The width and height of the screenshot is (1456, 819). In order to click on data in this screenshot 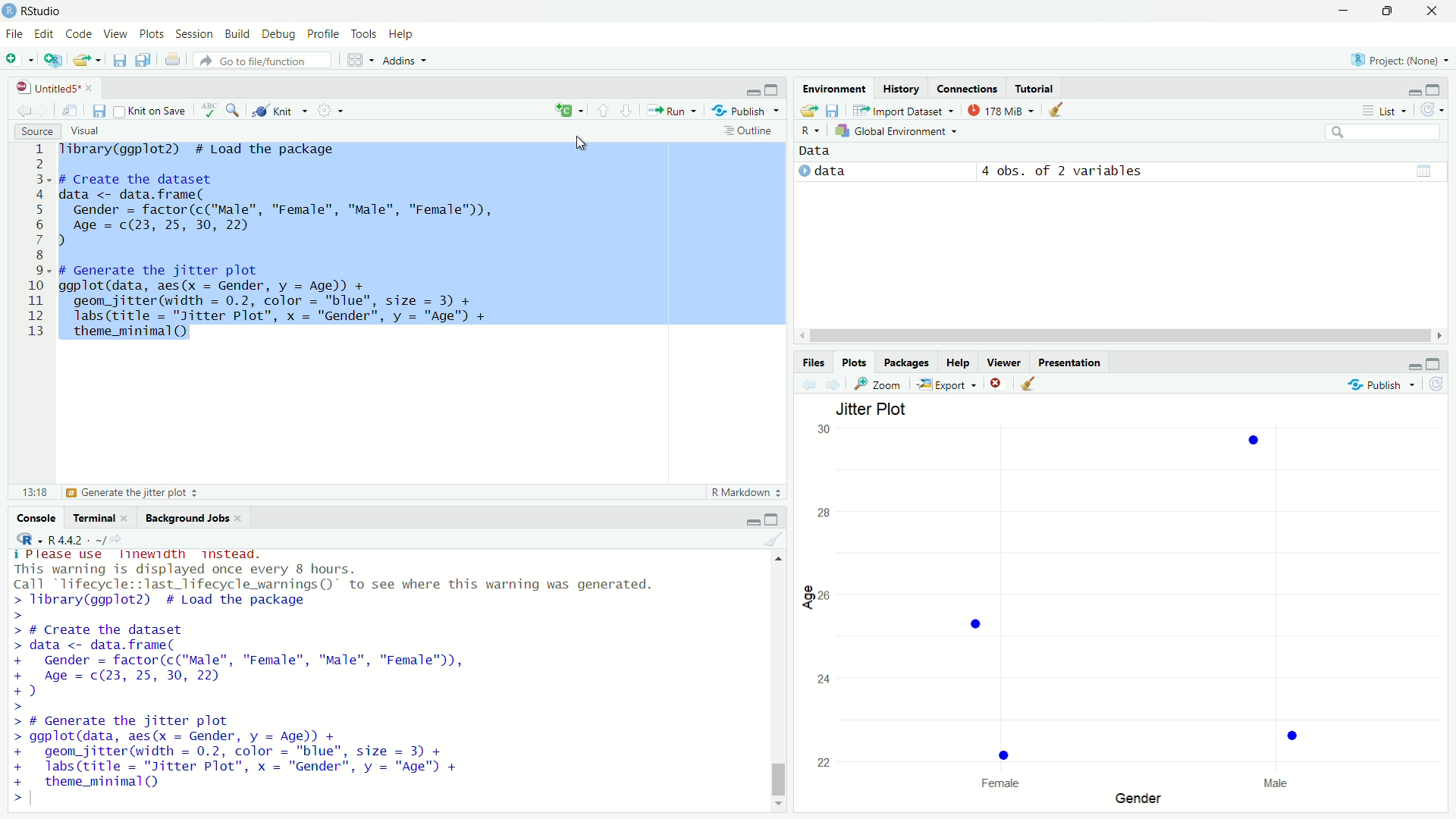, I will do `click(826, 149)`.